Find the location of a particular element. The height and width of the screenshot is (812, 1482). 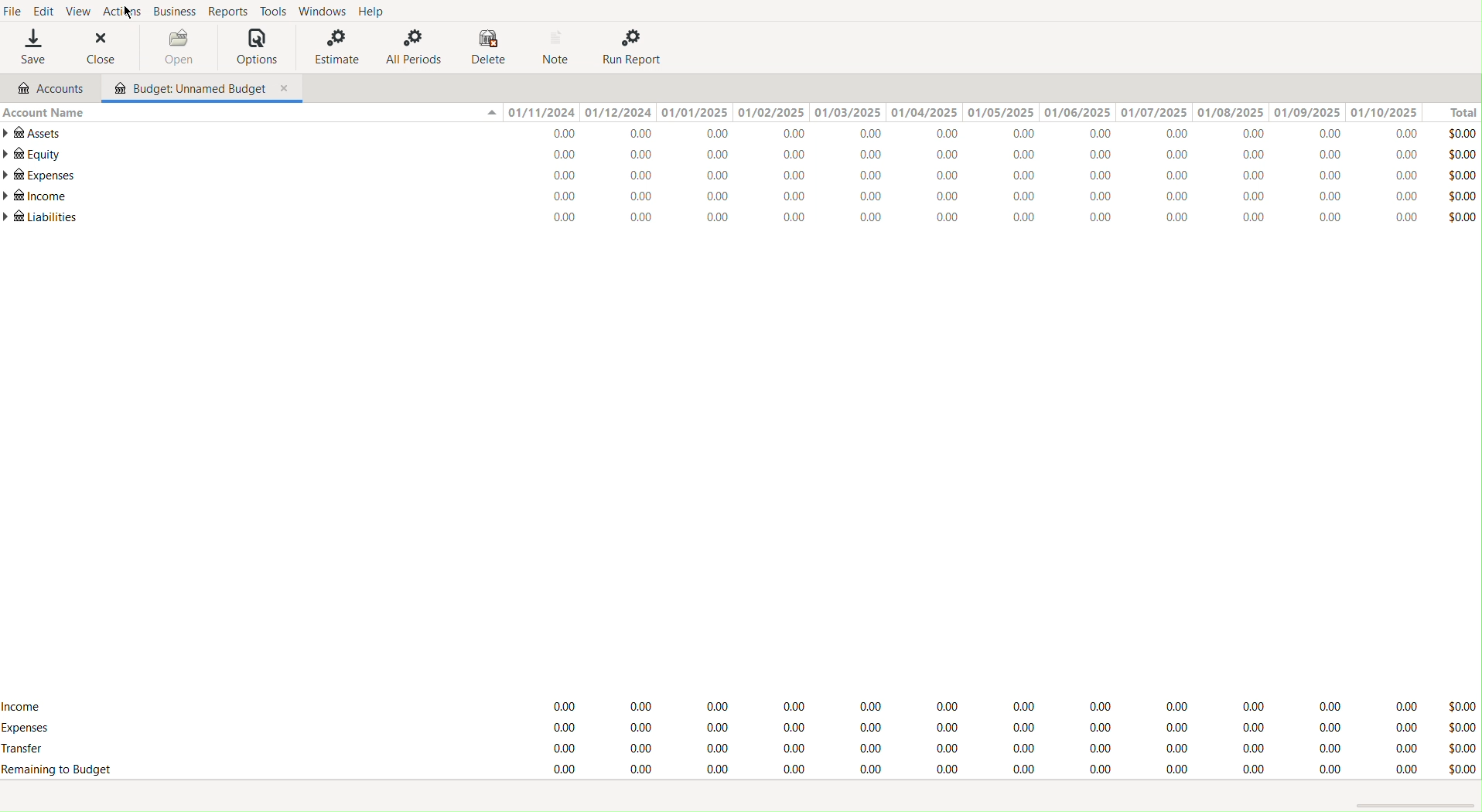

Expenses is located at coordinates (988, 728).